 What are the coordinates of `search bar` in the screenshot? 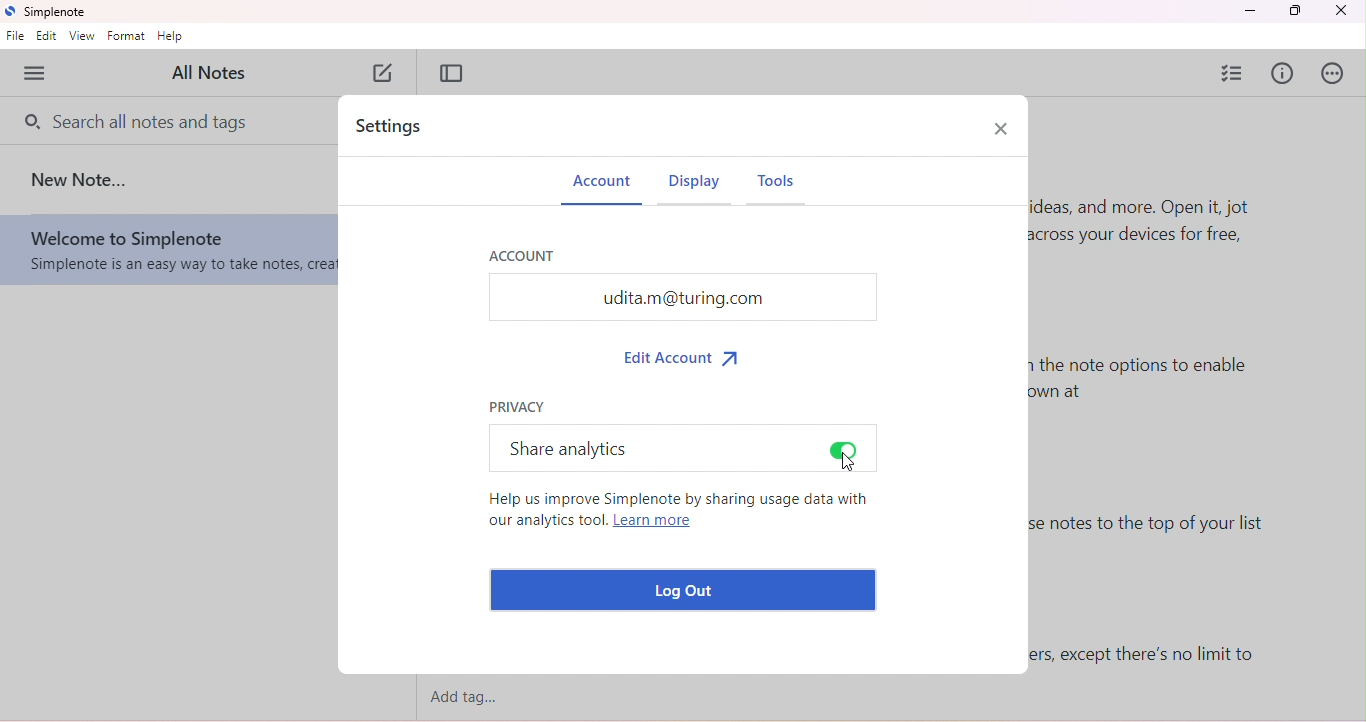 It's located at (139, 119).